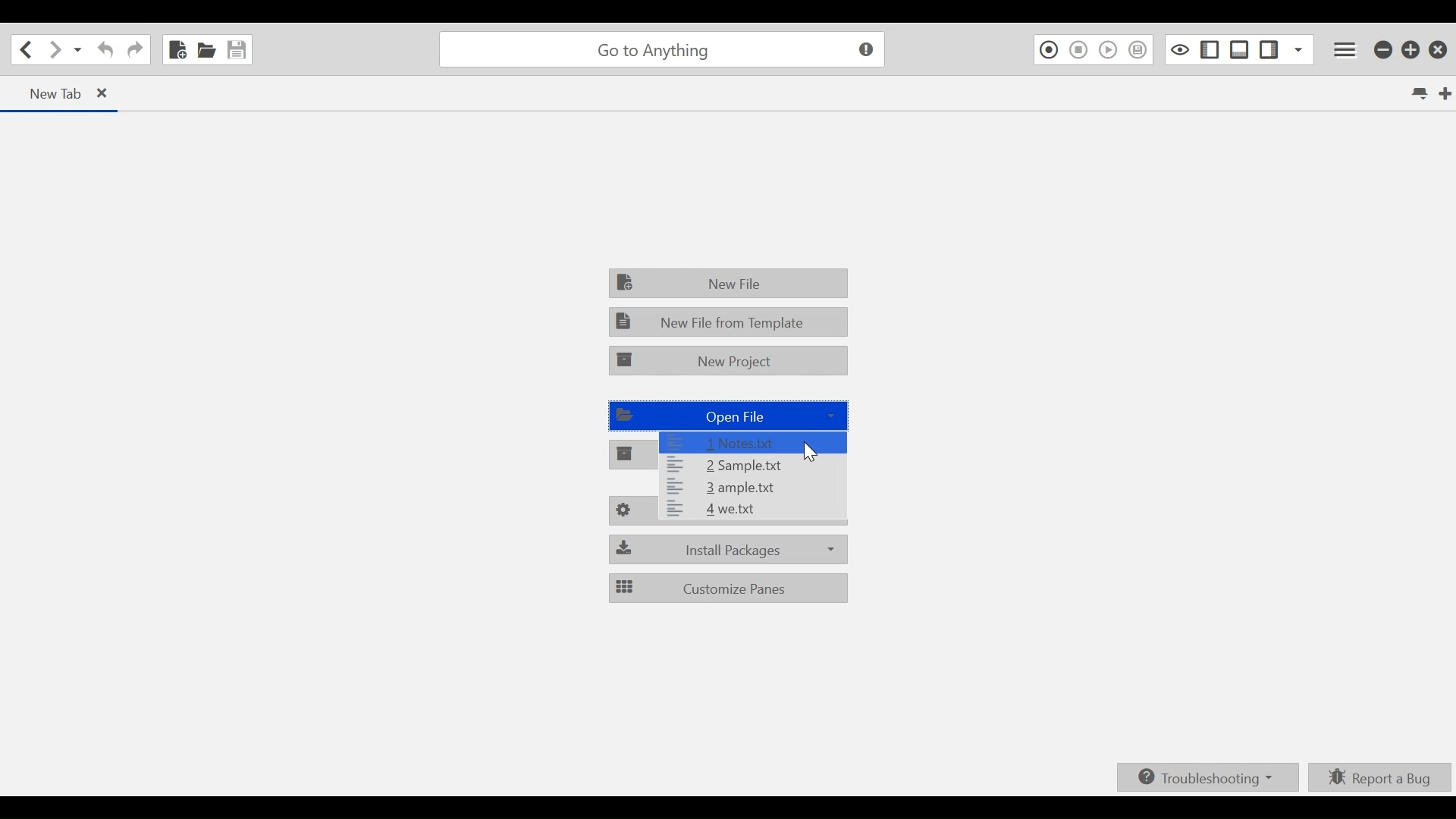 The height and width of the screenshot is (819, 1456). I want to click on Save File, so click(237, 49).